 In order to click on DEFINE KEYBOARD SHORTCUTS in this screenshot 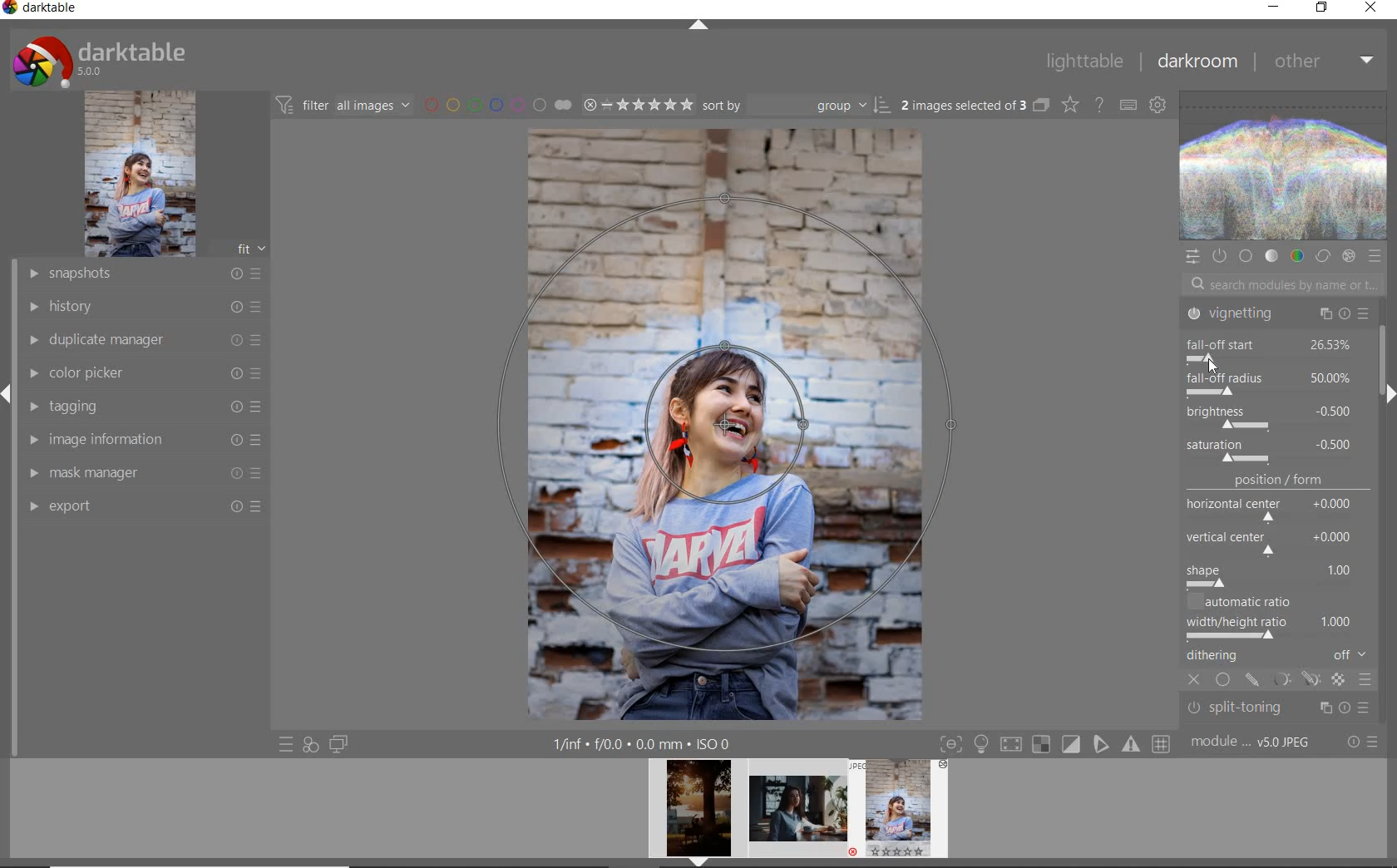, I will do `click(1128, 105)`.